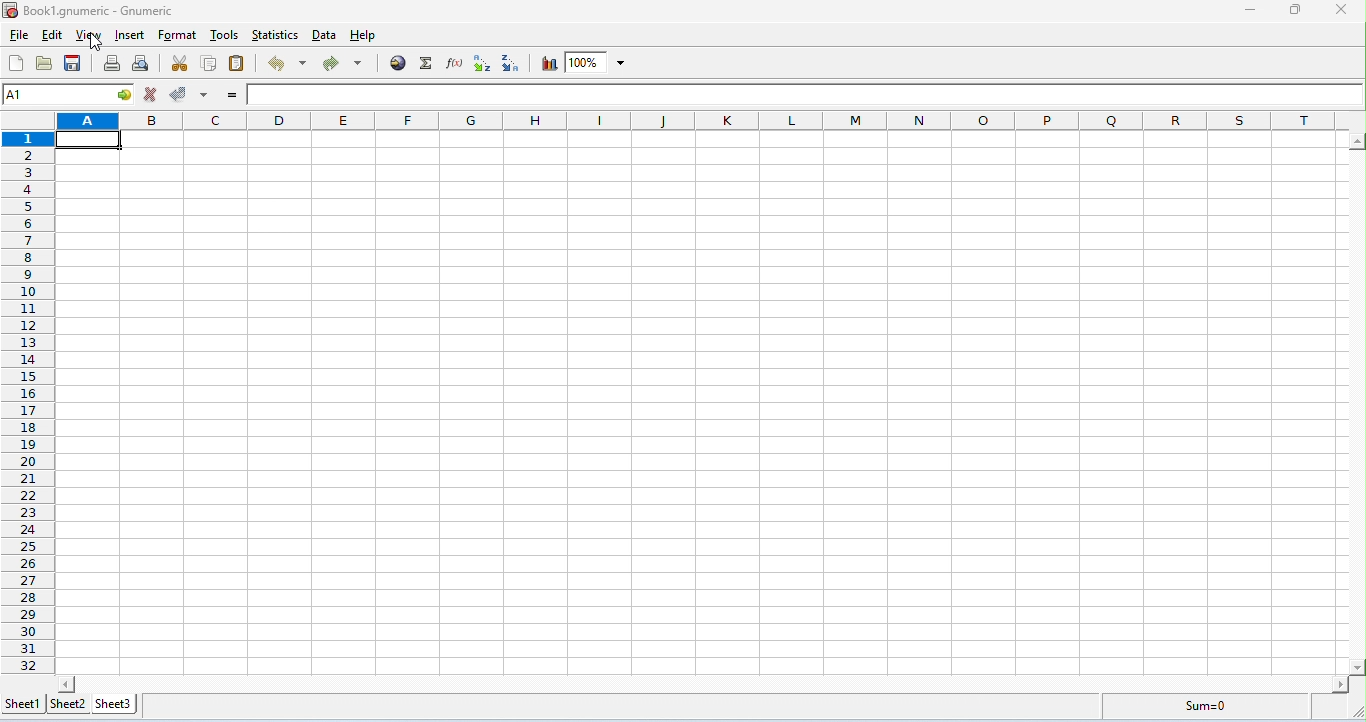 This screenshot has width=1366, height=722. Describe the element at coordinates (98, 43) in the screenshot. I see `cursor` at that location.